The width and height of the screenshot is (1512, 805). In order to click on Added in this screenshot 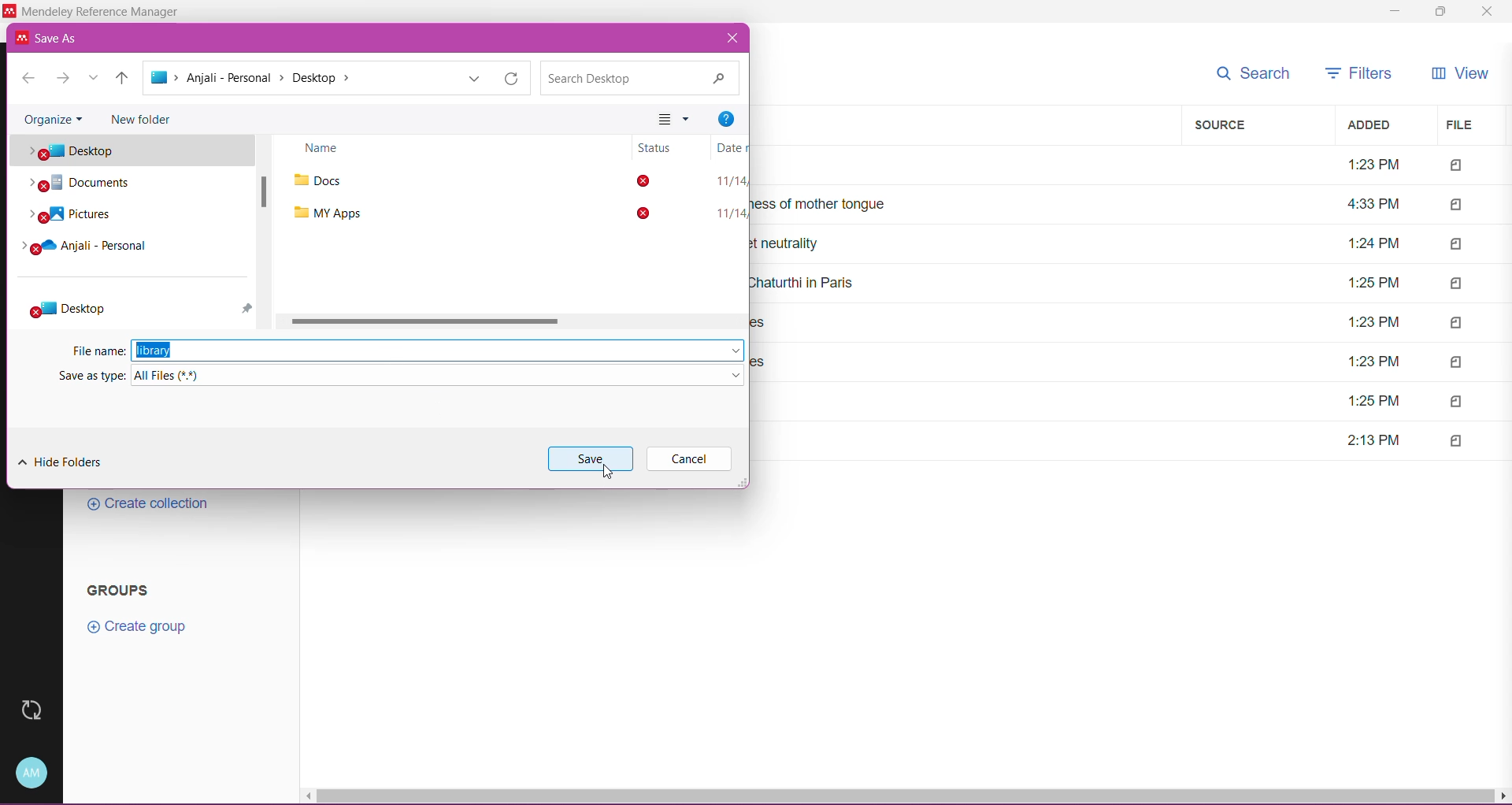, I will do `click(1382, 124)`.